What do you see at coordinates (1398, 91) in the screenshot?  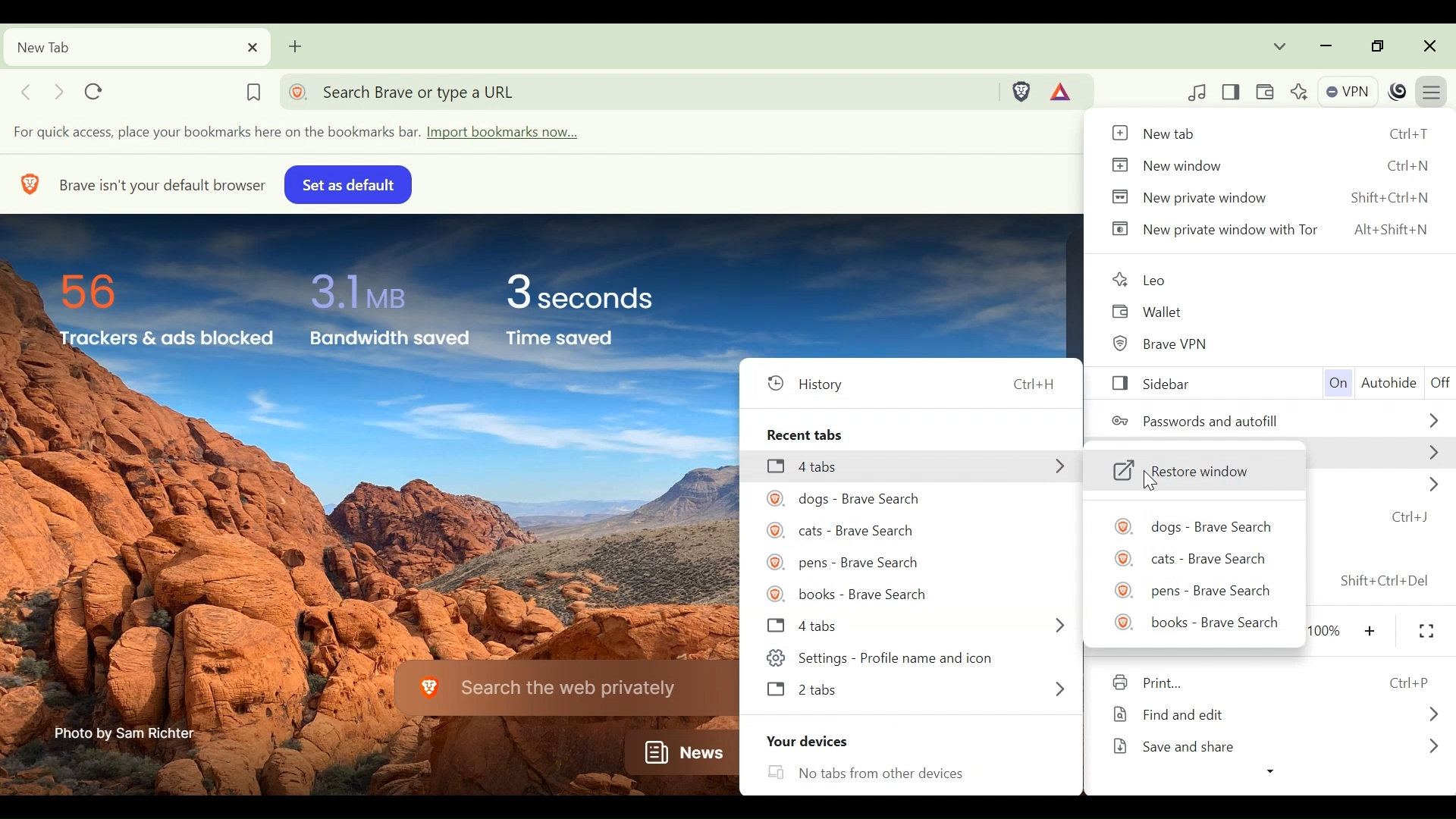 I see `Profile` at bounding box center [1398, 91].